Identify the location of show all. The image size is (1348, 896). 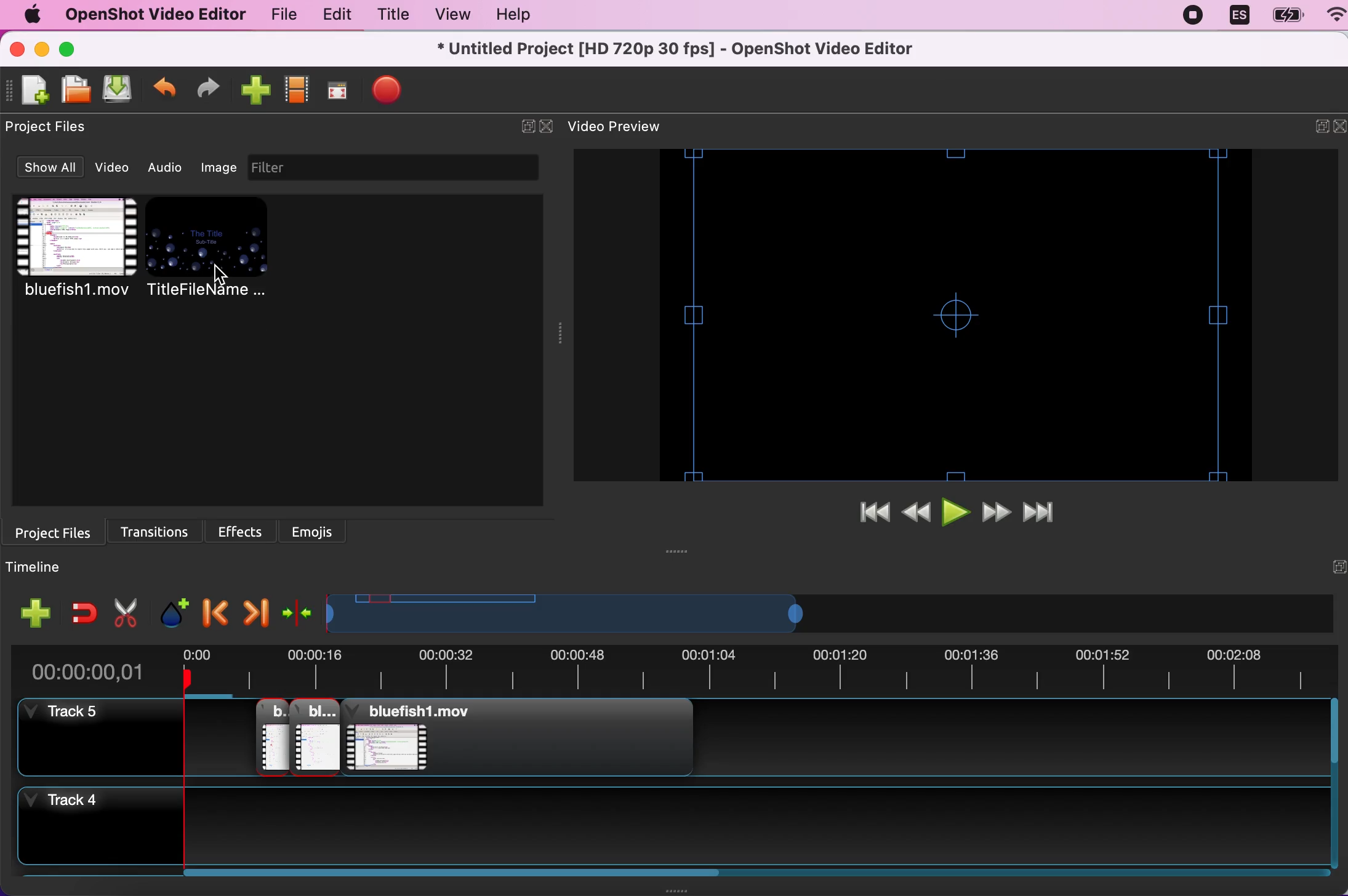
(48, 169).